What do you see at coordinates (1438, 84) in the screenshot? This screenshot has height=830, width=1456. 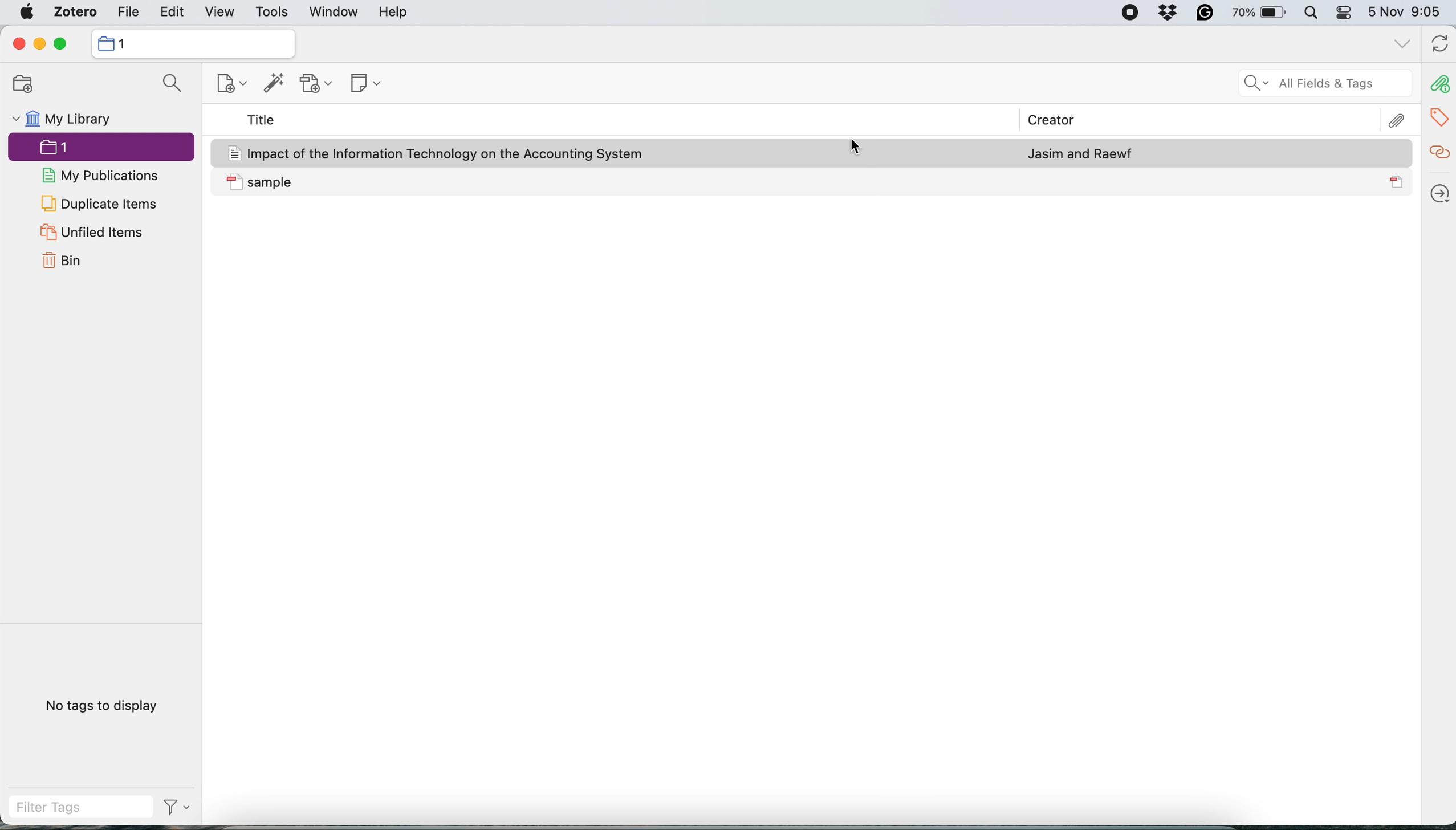 I see `attachements` at bounding box center [1438, 84].